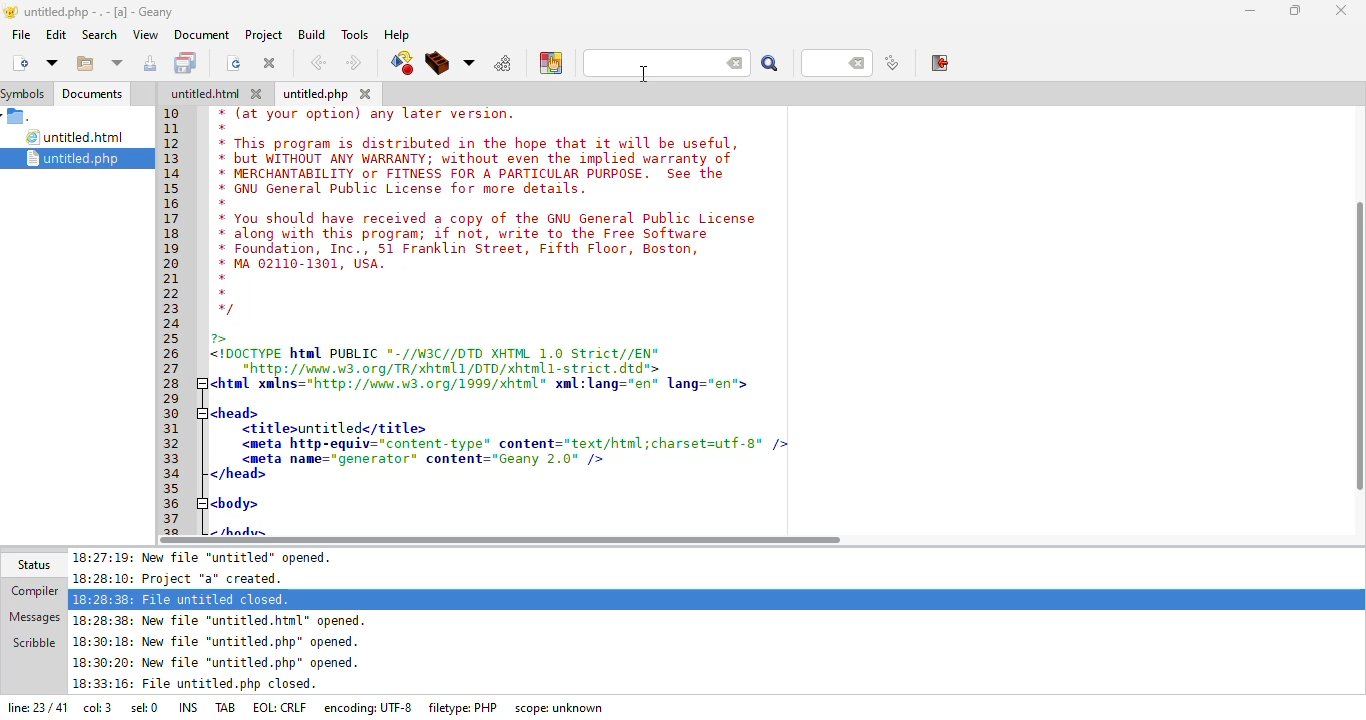 The image size is (1366, 720). What do you see at coordinates (32, 564) in the screenshot?
I see `status` at bounding box center [32, 564].